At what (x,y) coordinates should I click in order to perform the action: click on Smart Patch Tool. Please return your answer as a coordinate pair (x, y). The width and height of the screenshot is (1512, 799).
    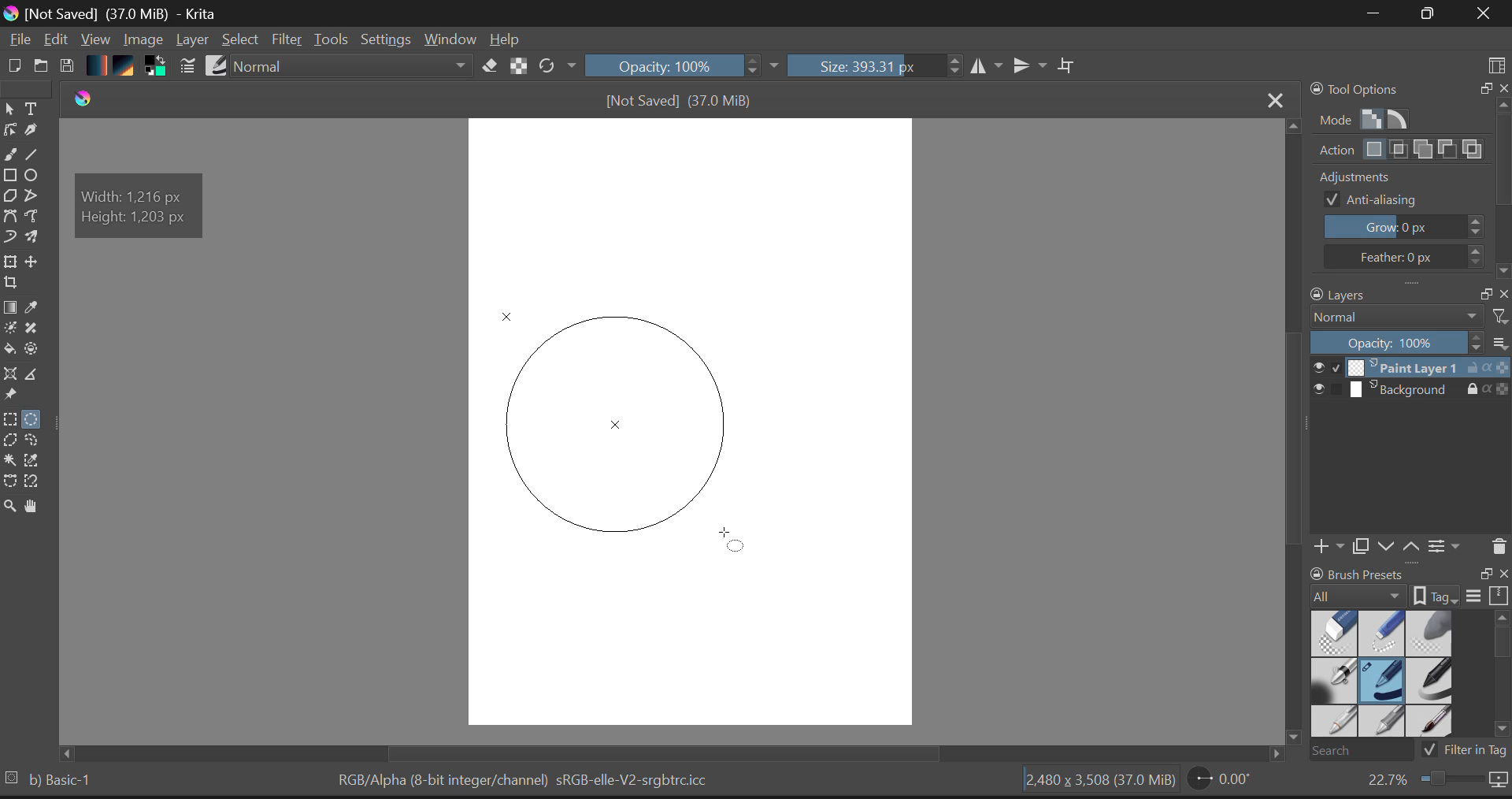
    Looking at the image, I should click on (34, 331).